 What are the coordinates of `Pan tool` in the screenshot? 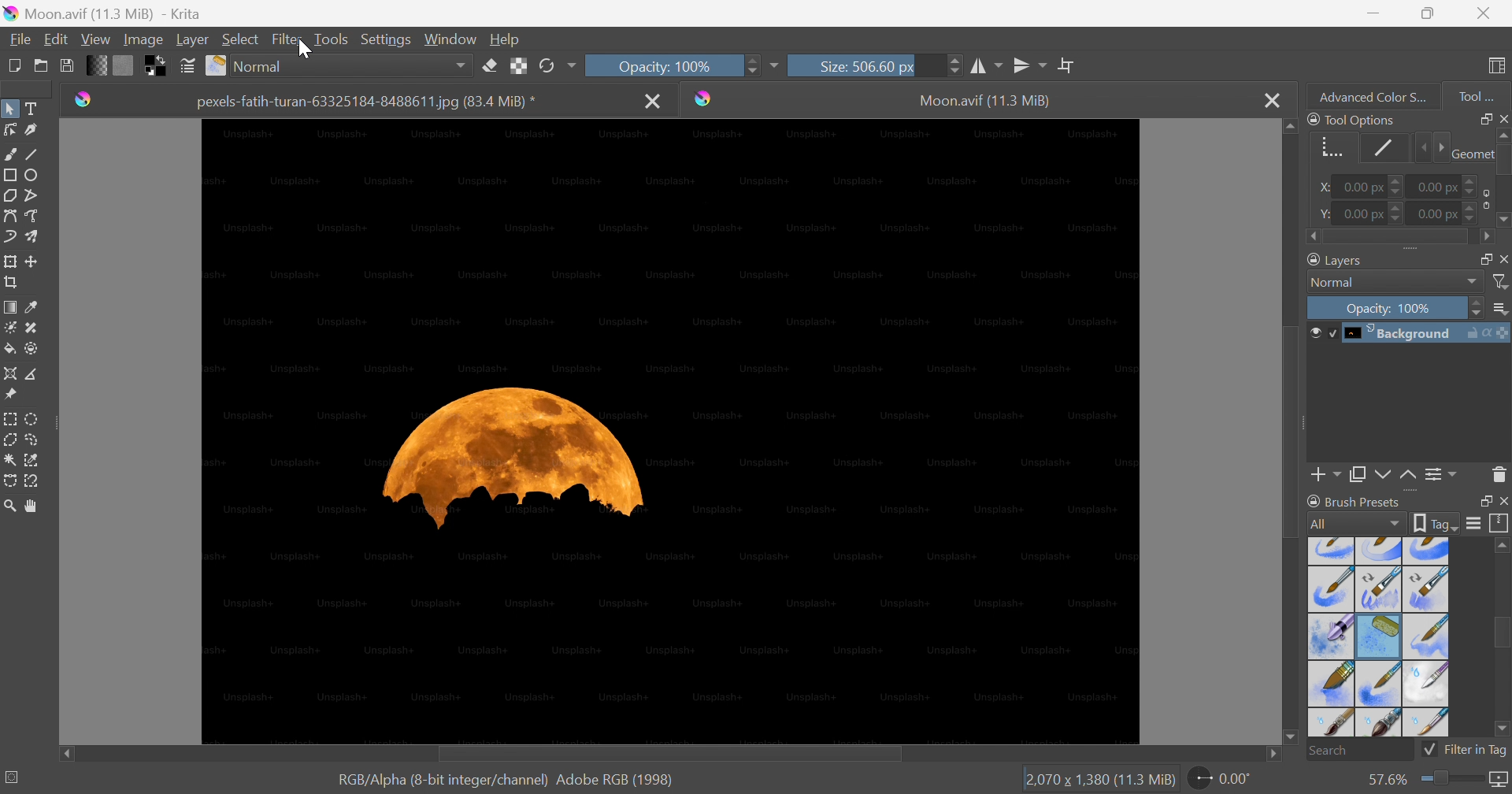 It's located at (35, 506).